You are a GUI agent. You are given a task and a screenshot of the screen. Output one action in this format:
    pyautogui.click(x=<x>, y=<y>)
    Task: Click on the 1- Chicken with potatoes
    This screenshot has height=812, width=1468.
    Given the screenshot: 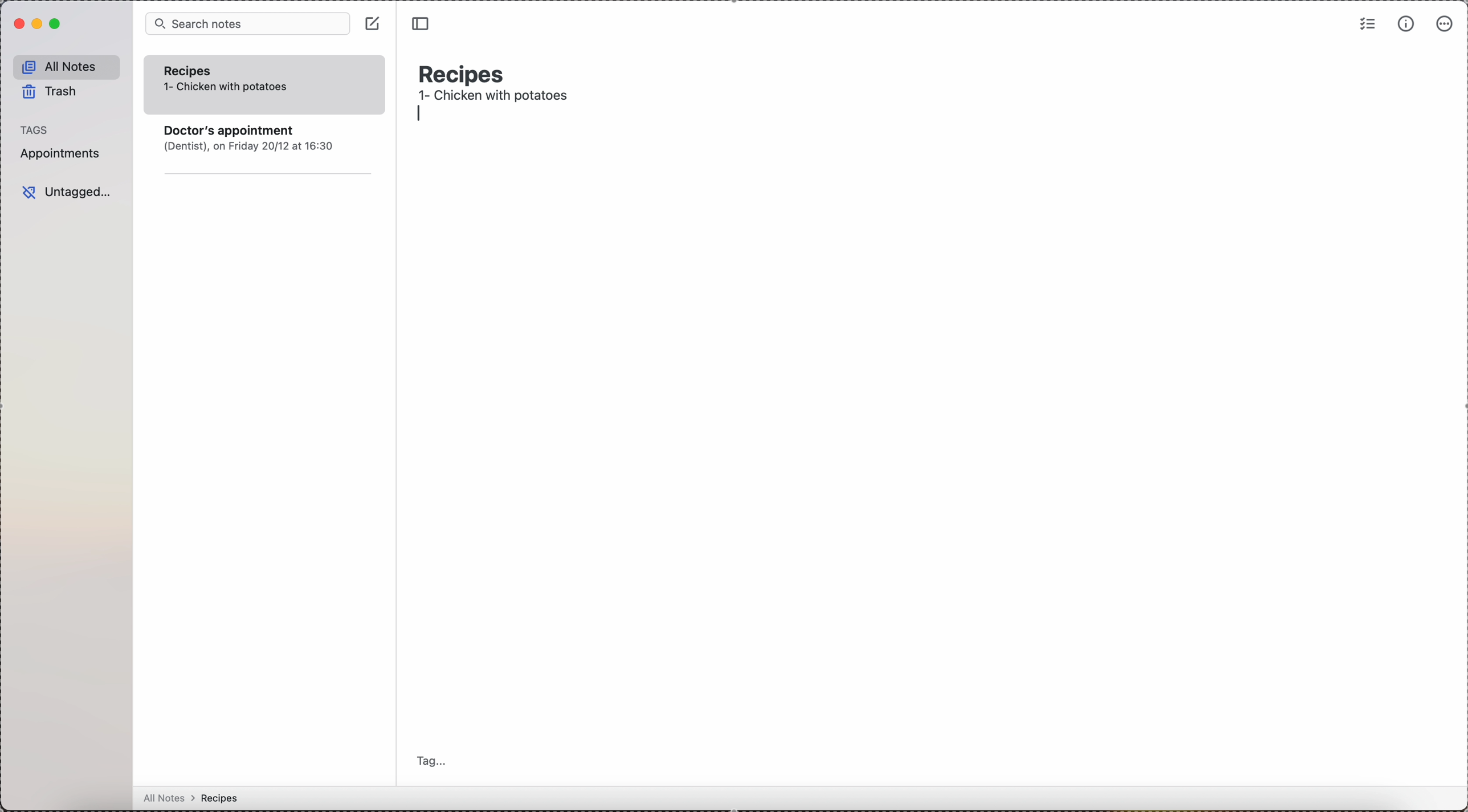 What is the action you would take?
    pyautogui.click(x=228, y=87)
    